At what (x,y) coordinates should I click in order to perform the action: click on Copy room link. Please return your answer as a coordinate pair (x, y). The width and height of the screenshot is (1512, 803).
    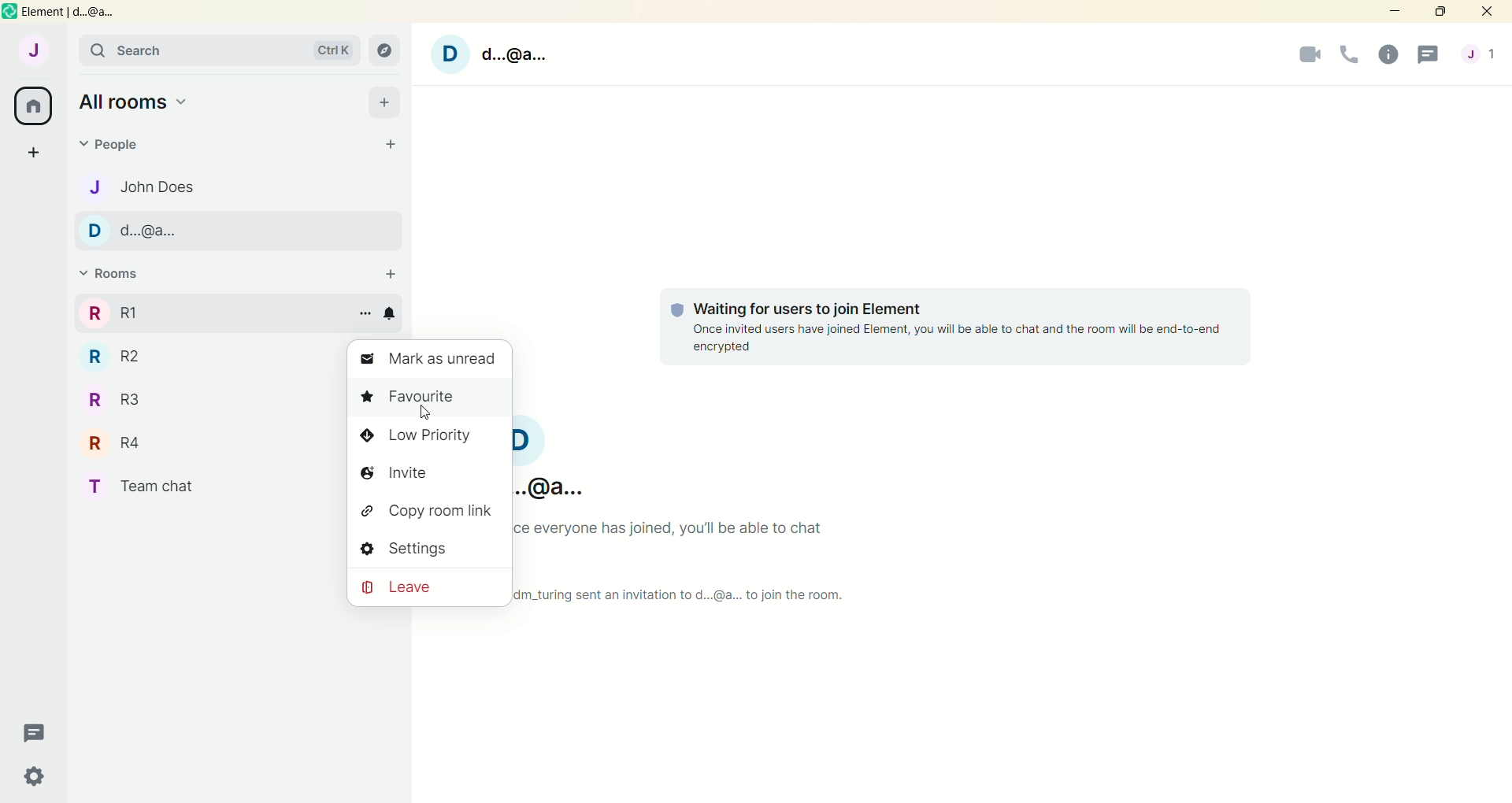
    Looking at the image, I should click on (416, 509).